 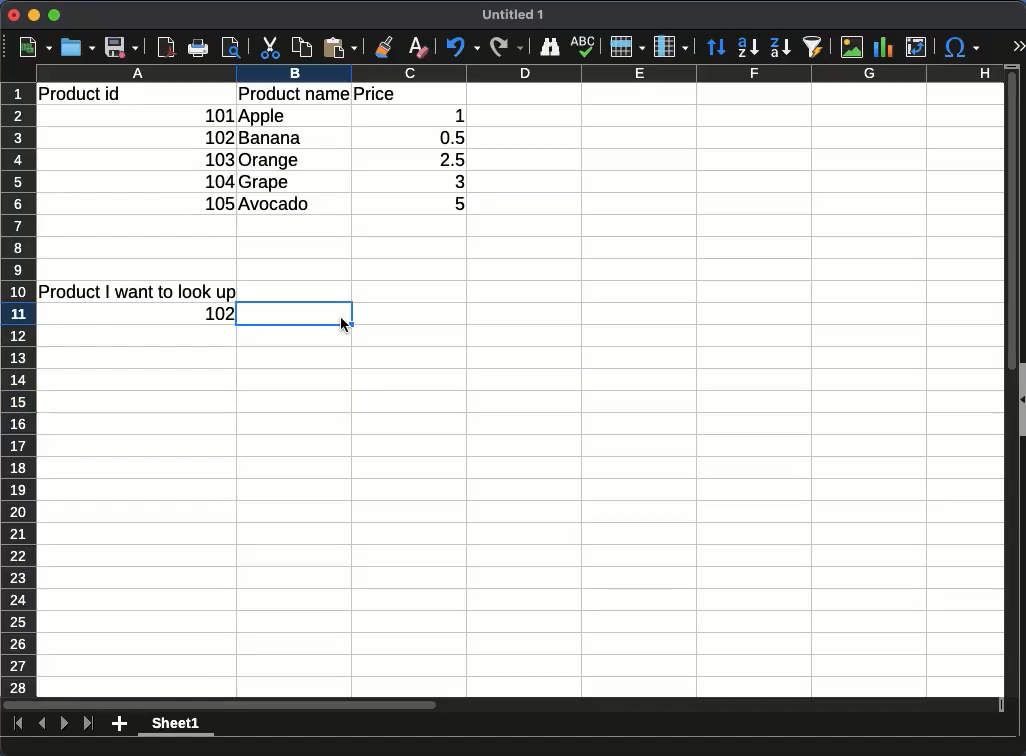 I want to click on column, so click(x=520, y=73).